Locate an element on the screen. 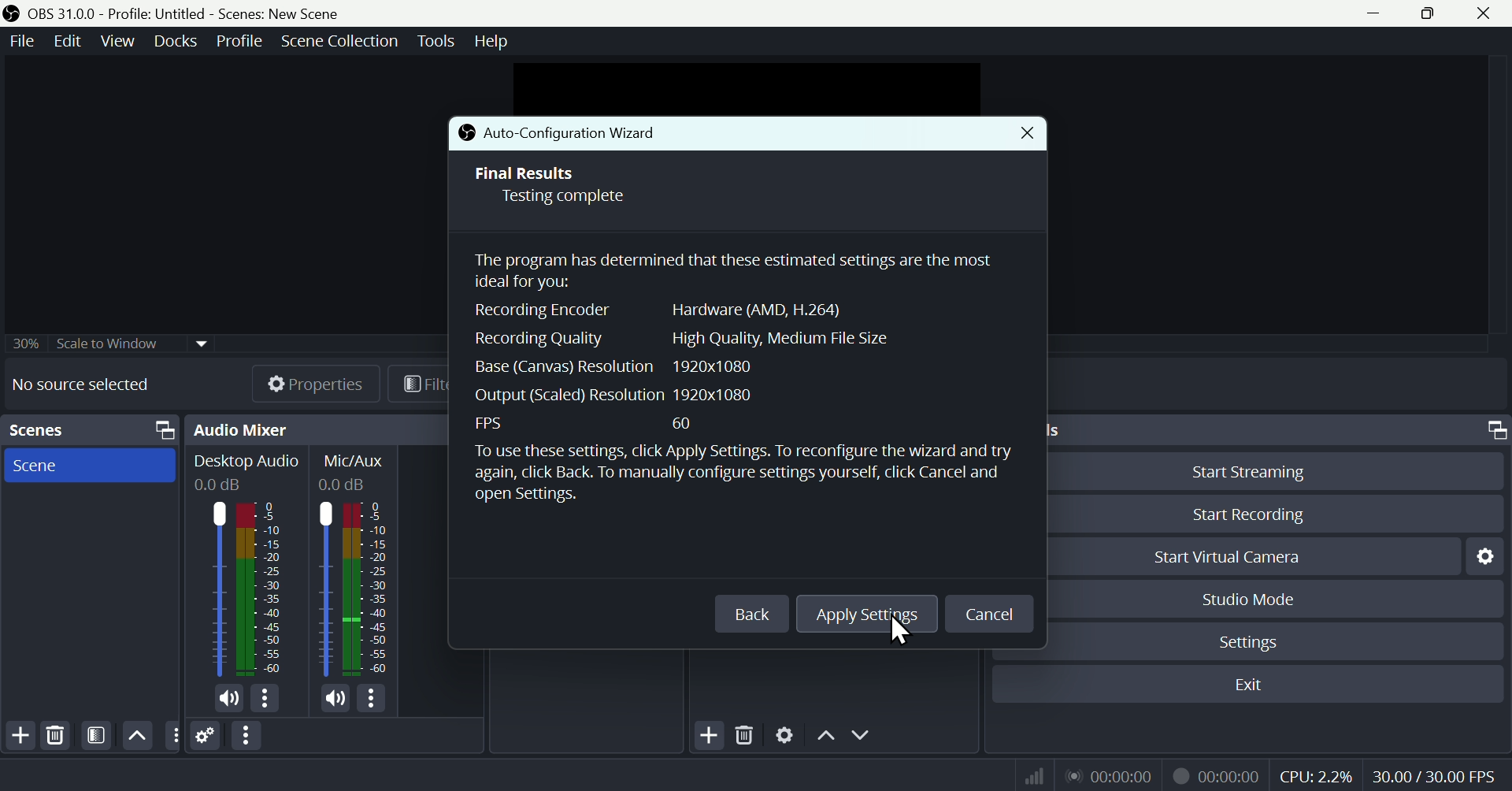 This screenshot has height=791, width=1512. options is located at coordinates (172, 734).